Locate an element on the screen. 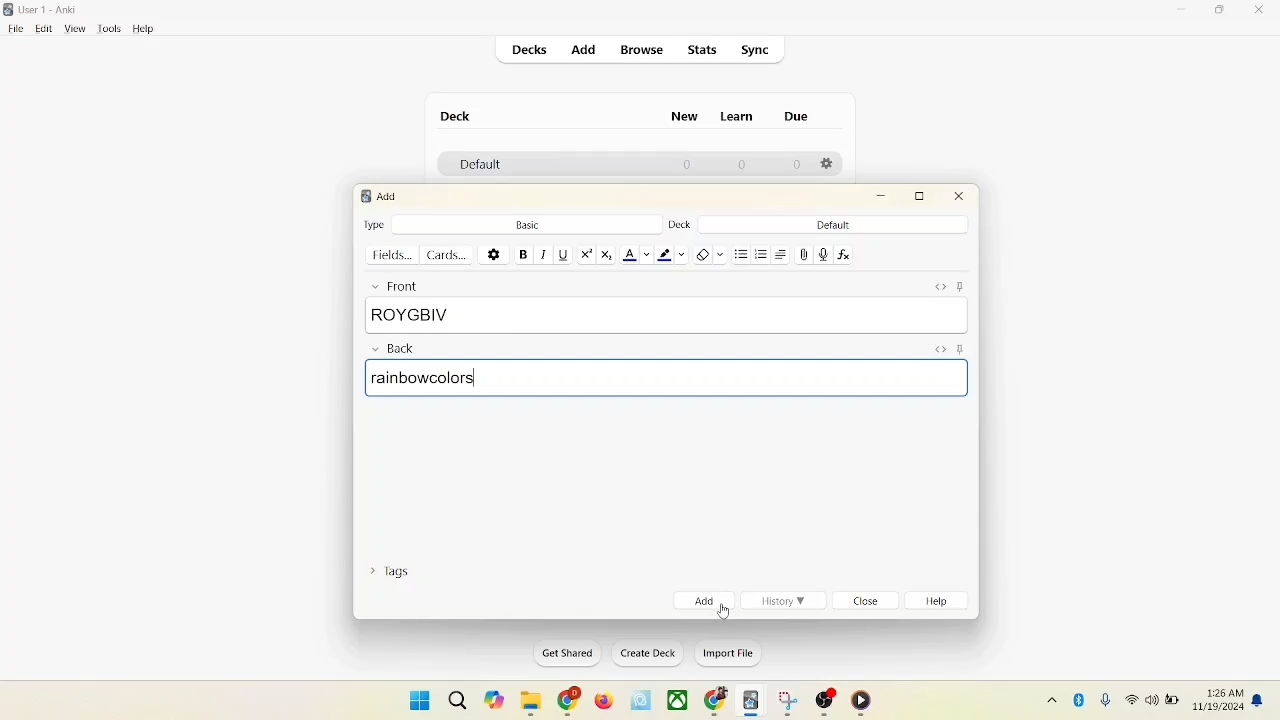 Image resolution: width=1280 pixels, height=720 pixels. cursor is located at coordinates (722, 609).